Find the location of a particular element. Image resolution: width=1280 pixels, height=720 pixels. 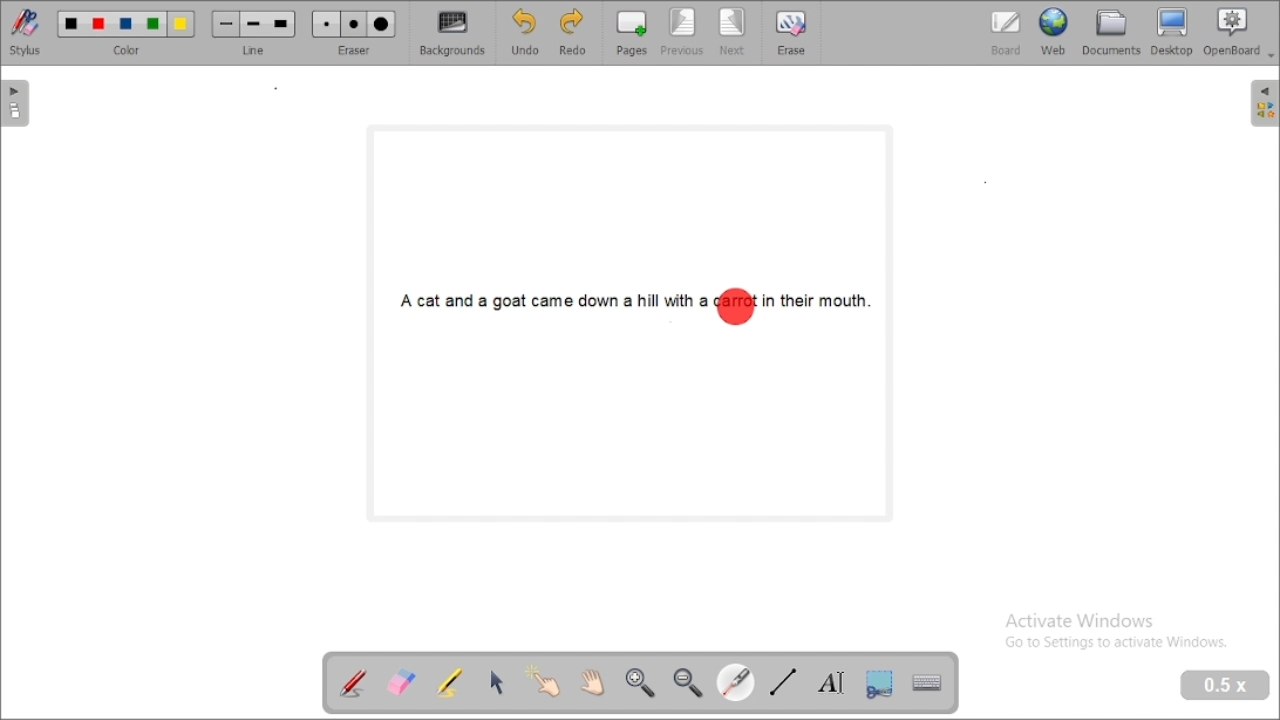

zoom out is located at coordinates (688, 684).